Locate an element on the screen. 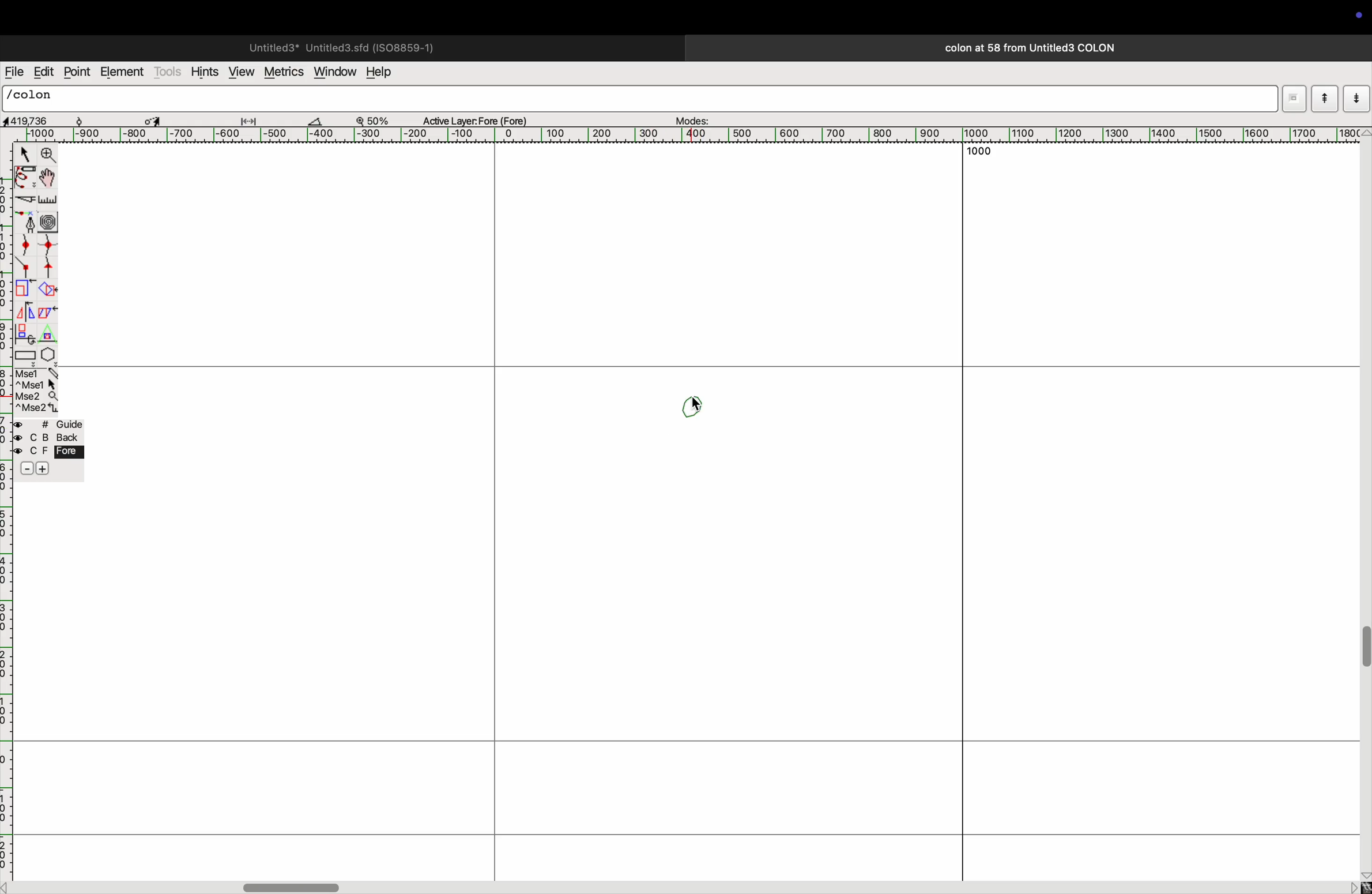  snow is located at coordinates (91, 119).